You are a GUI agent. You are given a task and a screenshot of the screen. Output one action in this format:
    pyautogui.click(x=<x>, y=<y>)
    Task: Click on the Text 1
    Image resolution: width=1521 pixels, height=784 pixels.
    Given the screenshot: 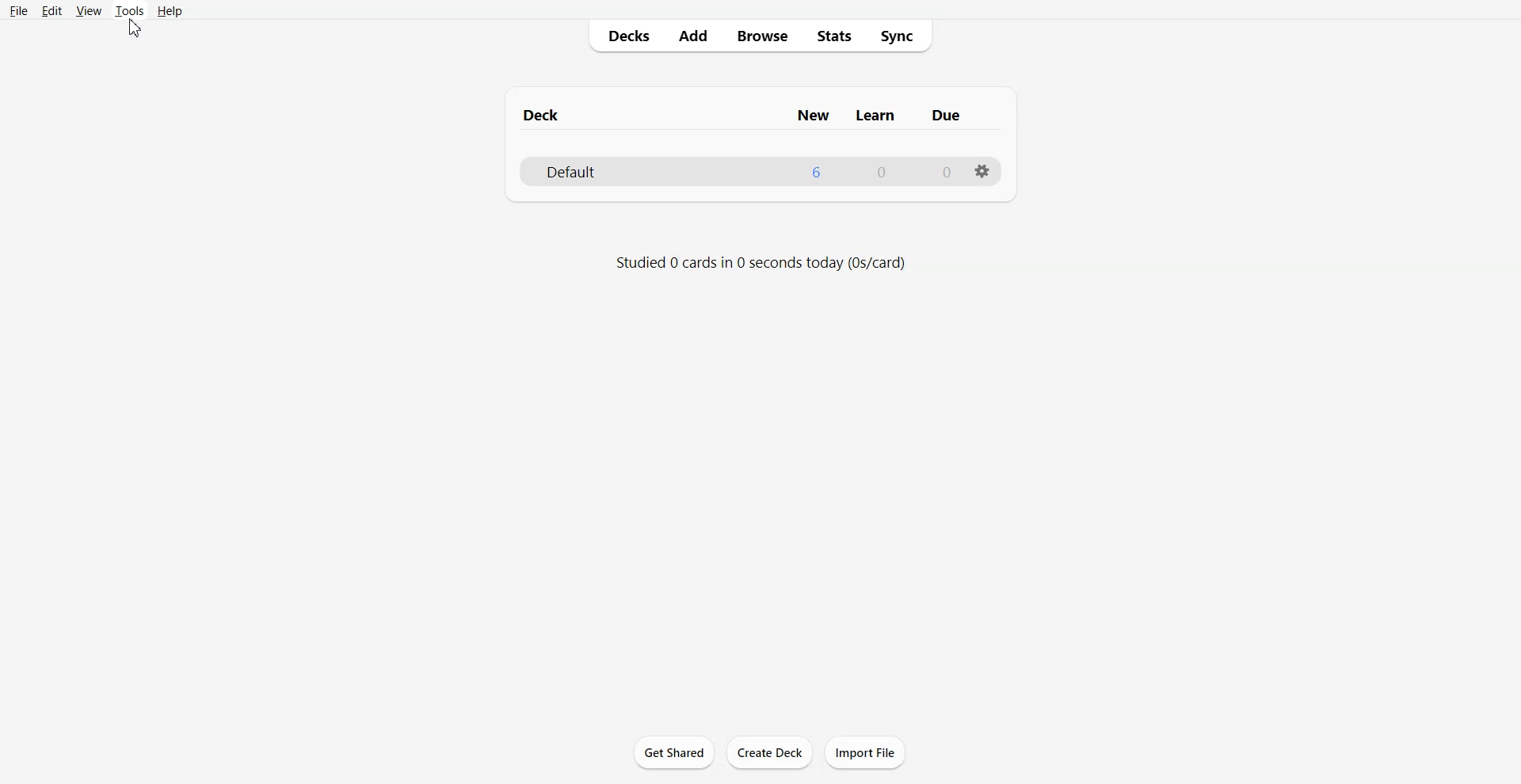 What is the action you would take?
    pyautogui.click(x=740, y=113)
    